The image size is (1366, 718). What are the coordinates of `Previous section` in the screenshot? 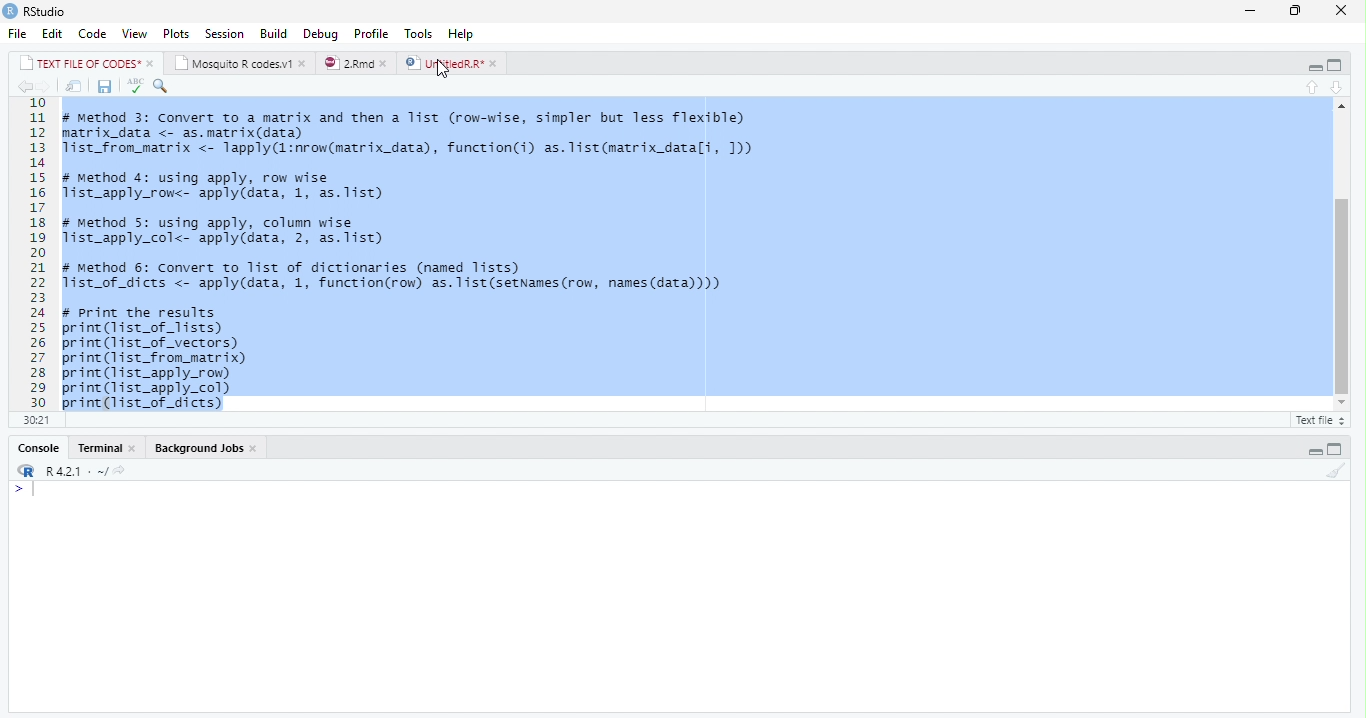 It's located at (1337, 87).